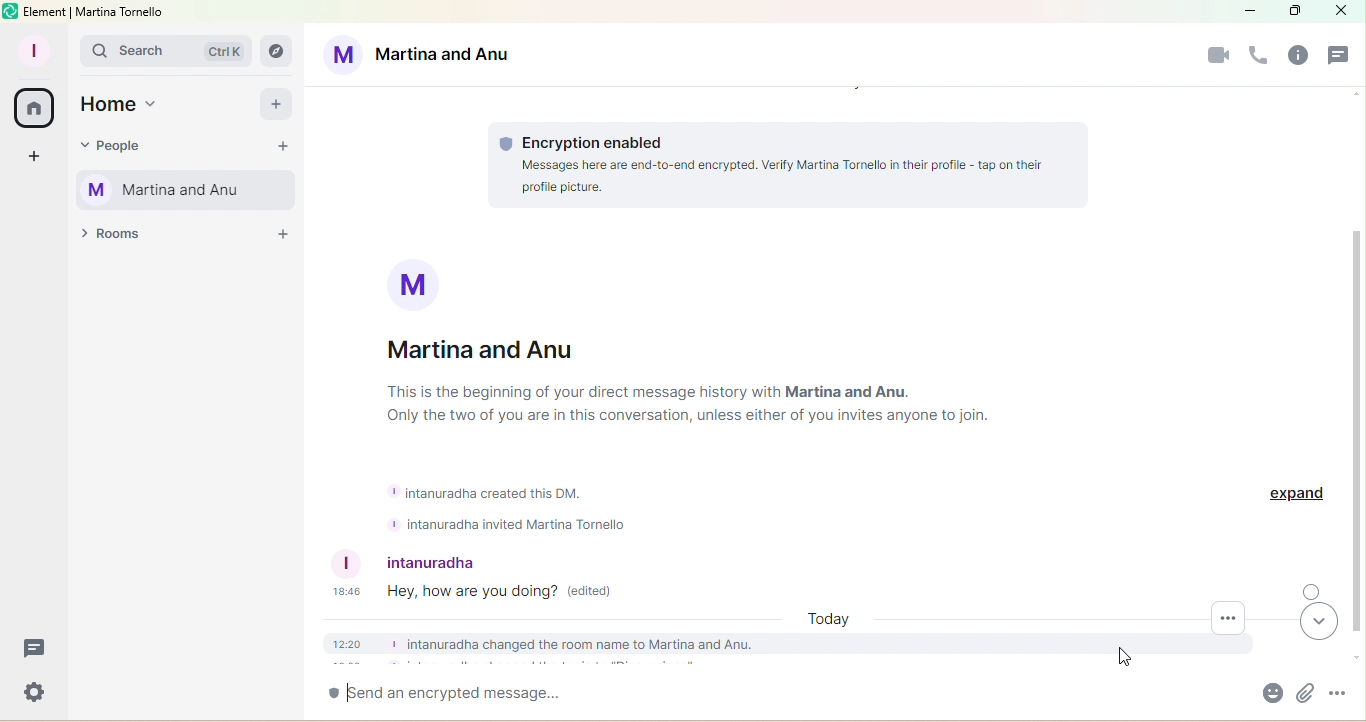 The height and width of the screenshot is (722, 1366). What do you see at coordinates (1304, 696) in the screenshot?
I see `Attachment` at bounding box center [1304, 696].